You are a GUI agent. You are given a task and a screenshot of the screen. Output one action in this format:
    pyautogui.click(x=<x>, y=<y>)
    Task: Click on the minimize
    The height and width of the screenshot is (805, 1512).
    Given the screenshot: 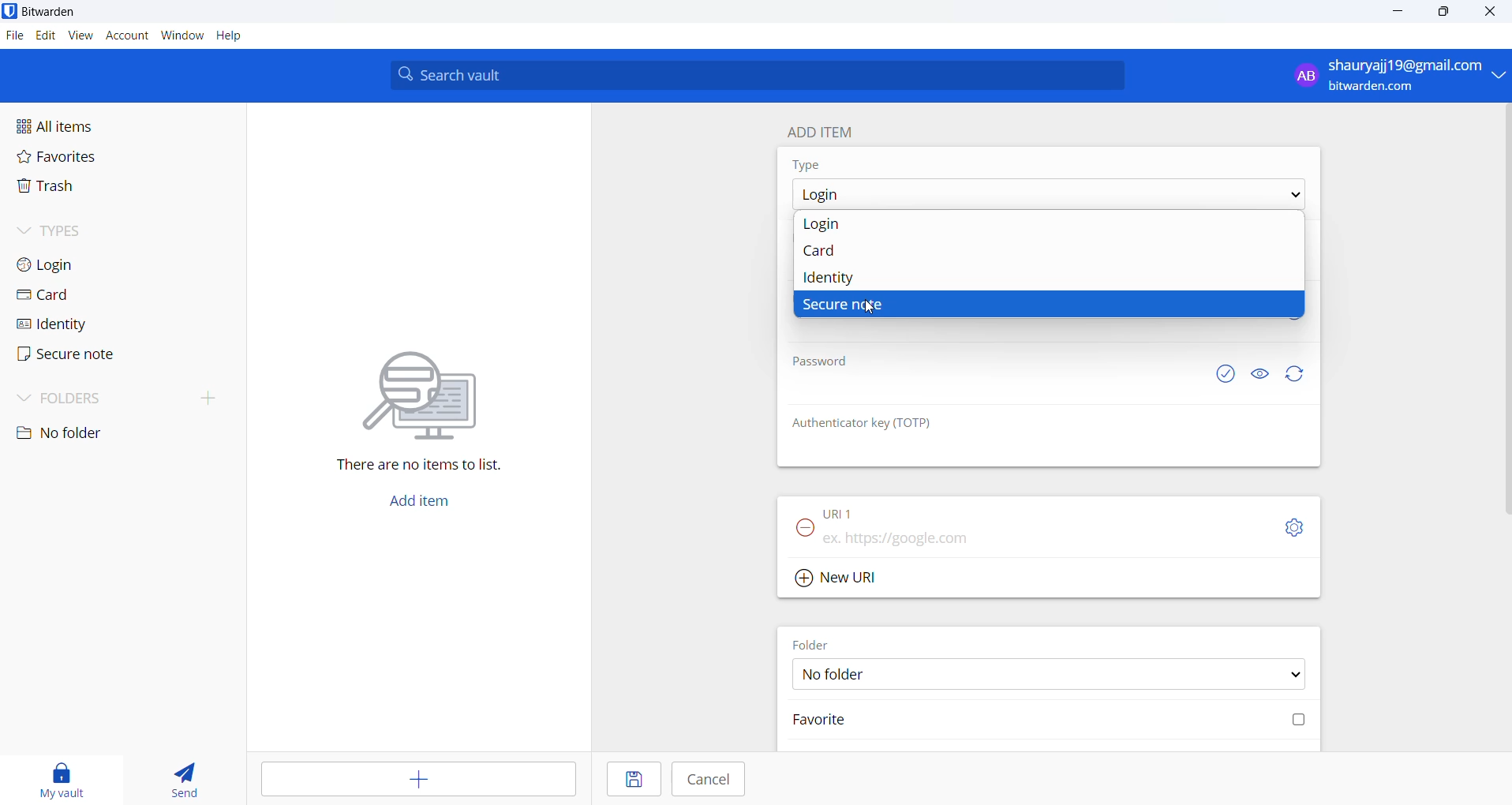 What is the action you would take?
    pyautogui.click(x=1400, y=12)
    